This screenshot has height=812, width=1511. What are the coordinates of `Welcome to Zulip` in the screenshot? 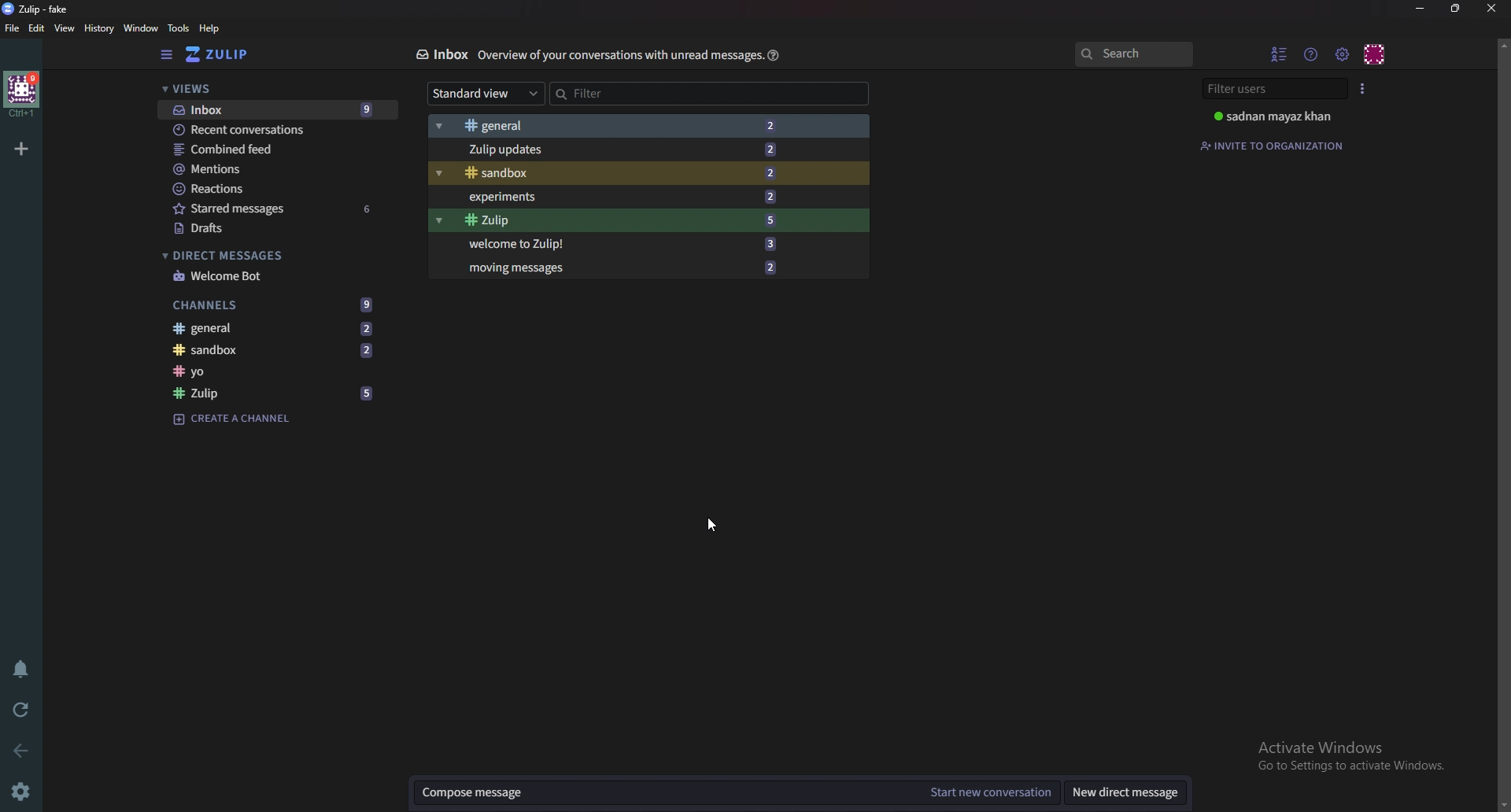 It's located at (612, 243).